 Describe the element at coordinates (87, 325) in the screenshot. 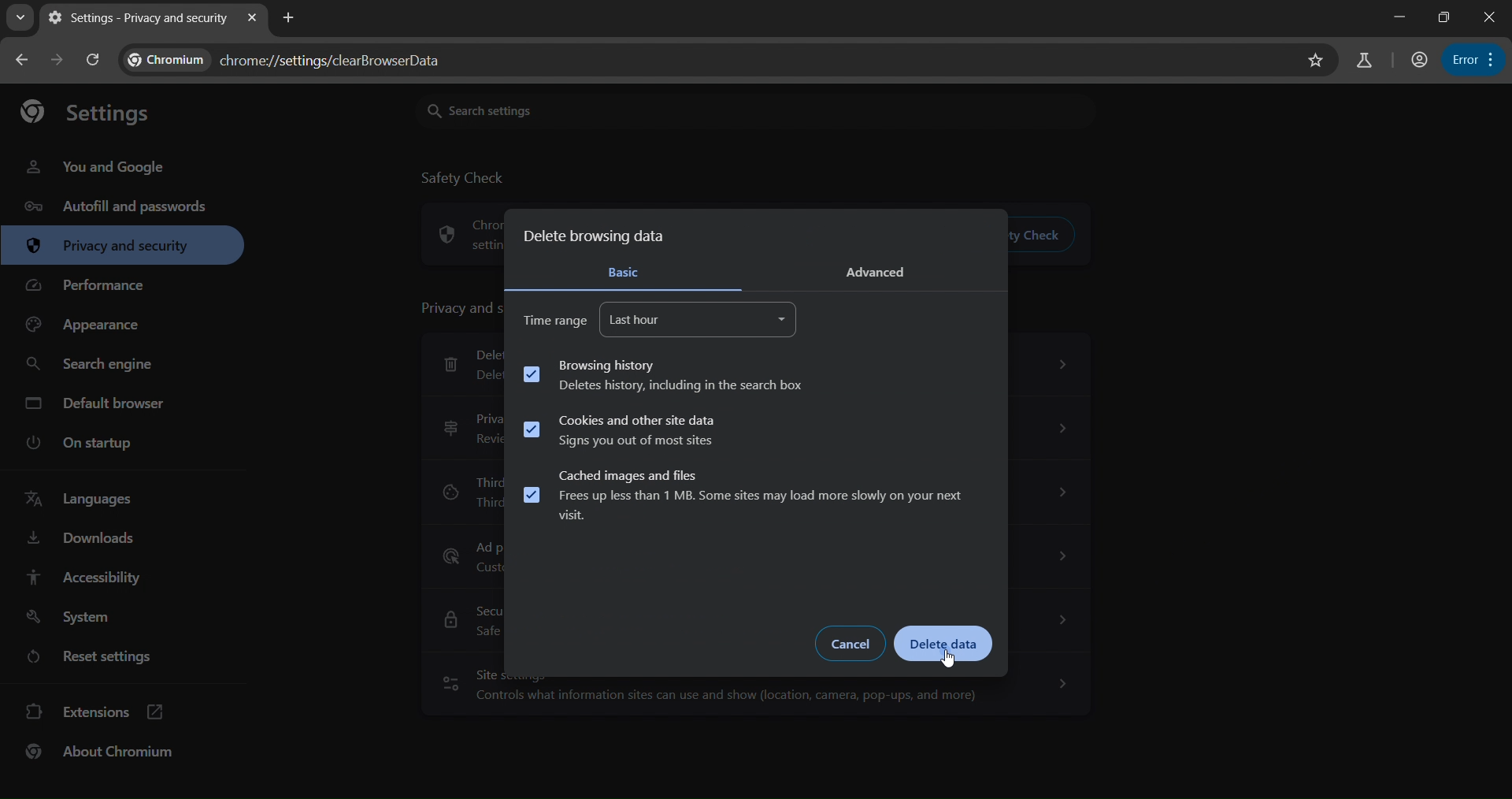

I see `ppearance` at that location.